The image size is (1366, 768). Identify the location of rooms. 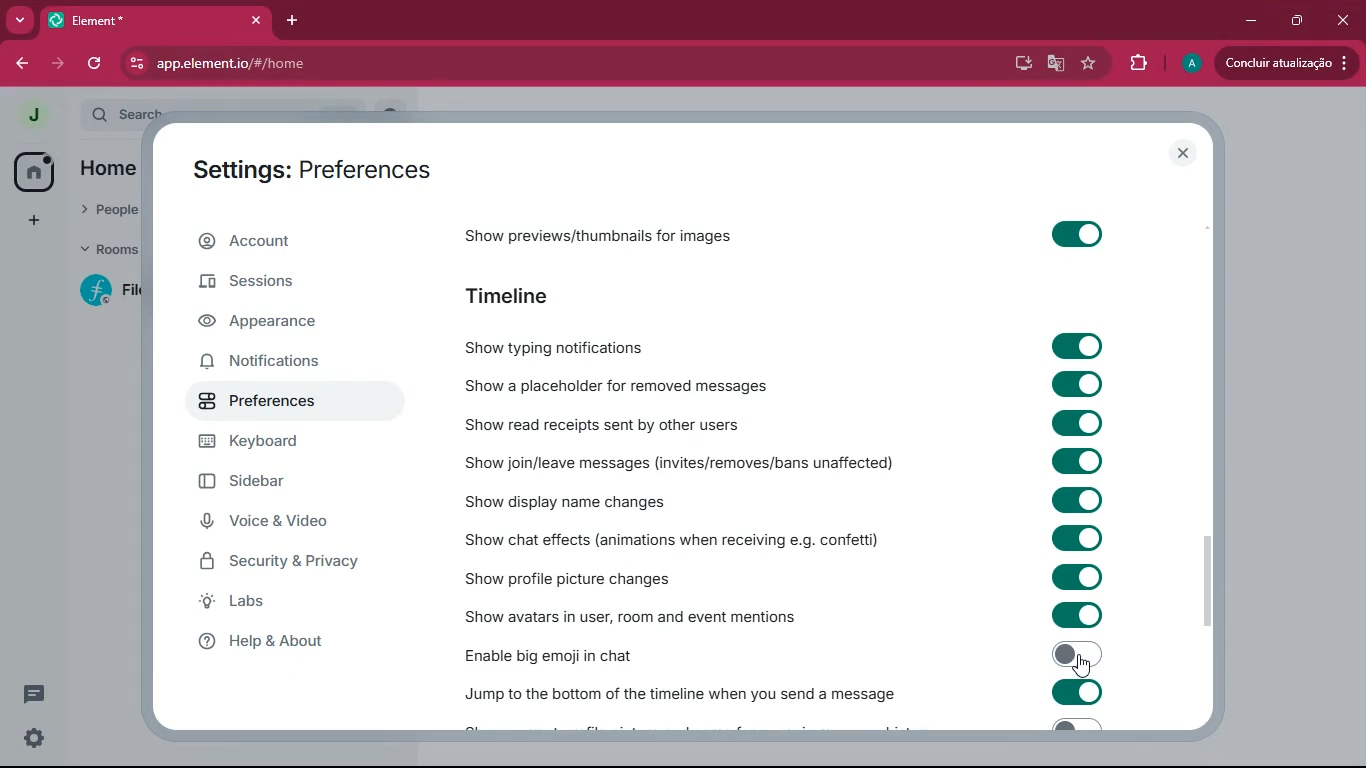
(108, 249).